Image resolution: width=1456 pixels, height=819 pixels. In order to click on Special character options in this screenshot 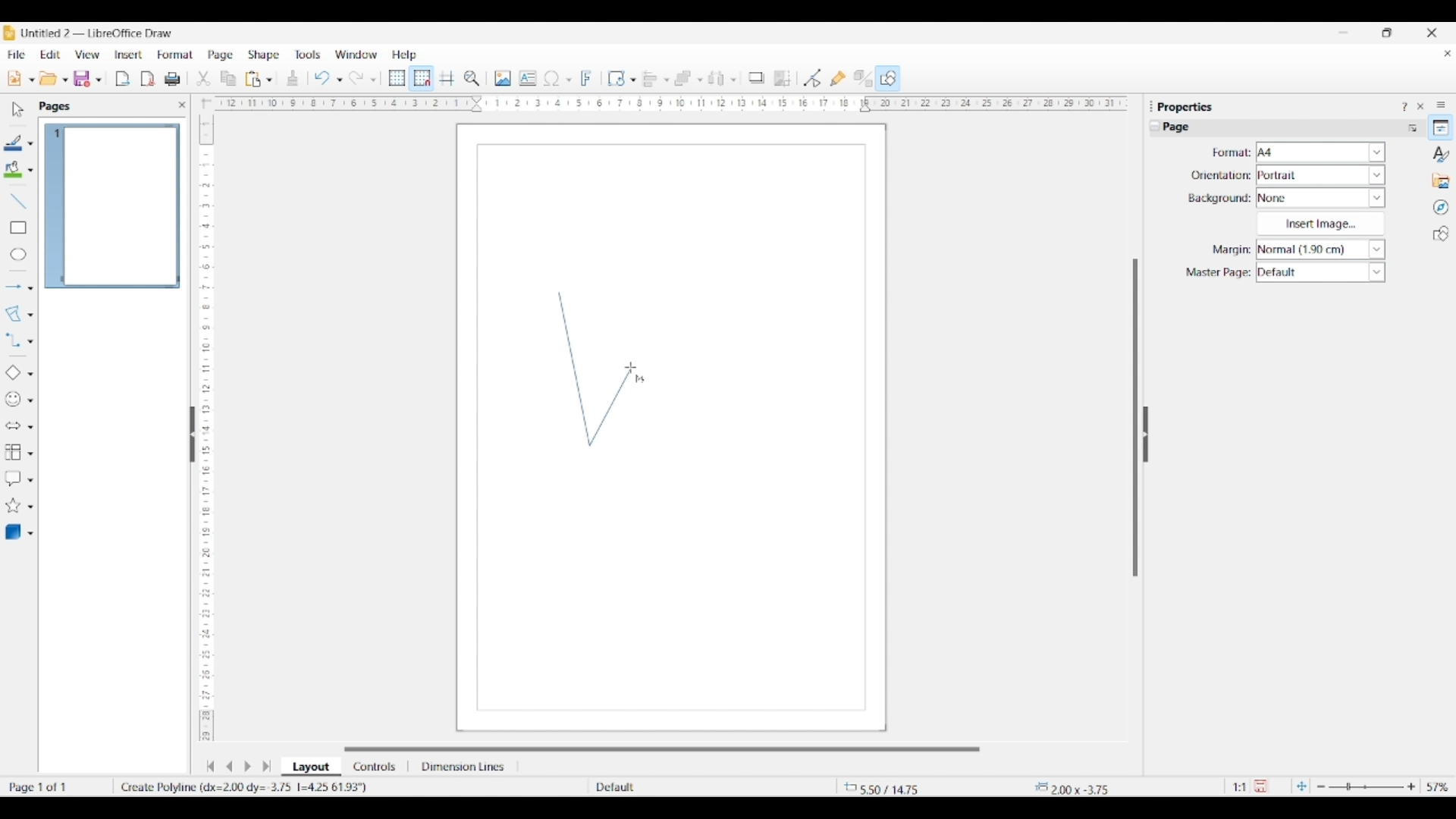, I will do `click(569, 80)`.